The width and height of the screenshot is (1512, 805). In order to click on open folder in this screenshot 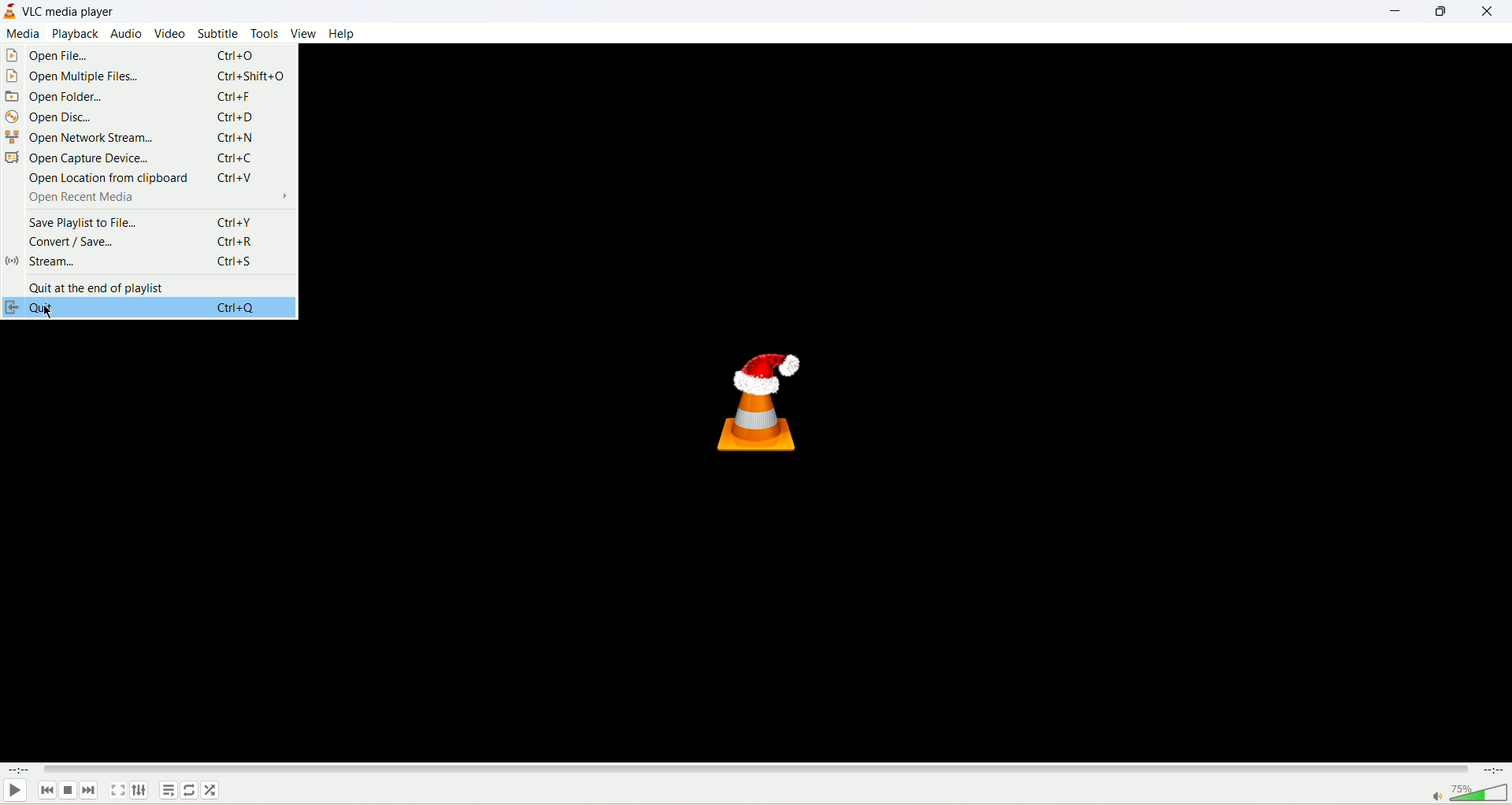, I will do `click(143, 95)`.